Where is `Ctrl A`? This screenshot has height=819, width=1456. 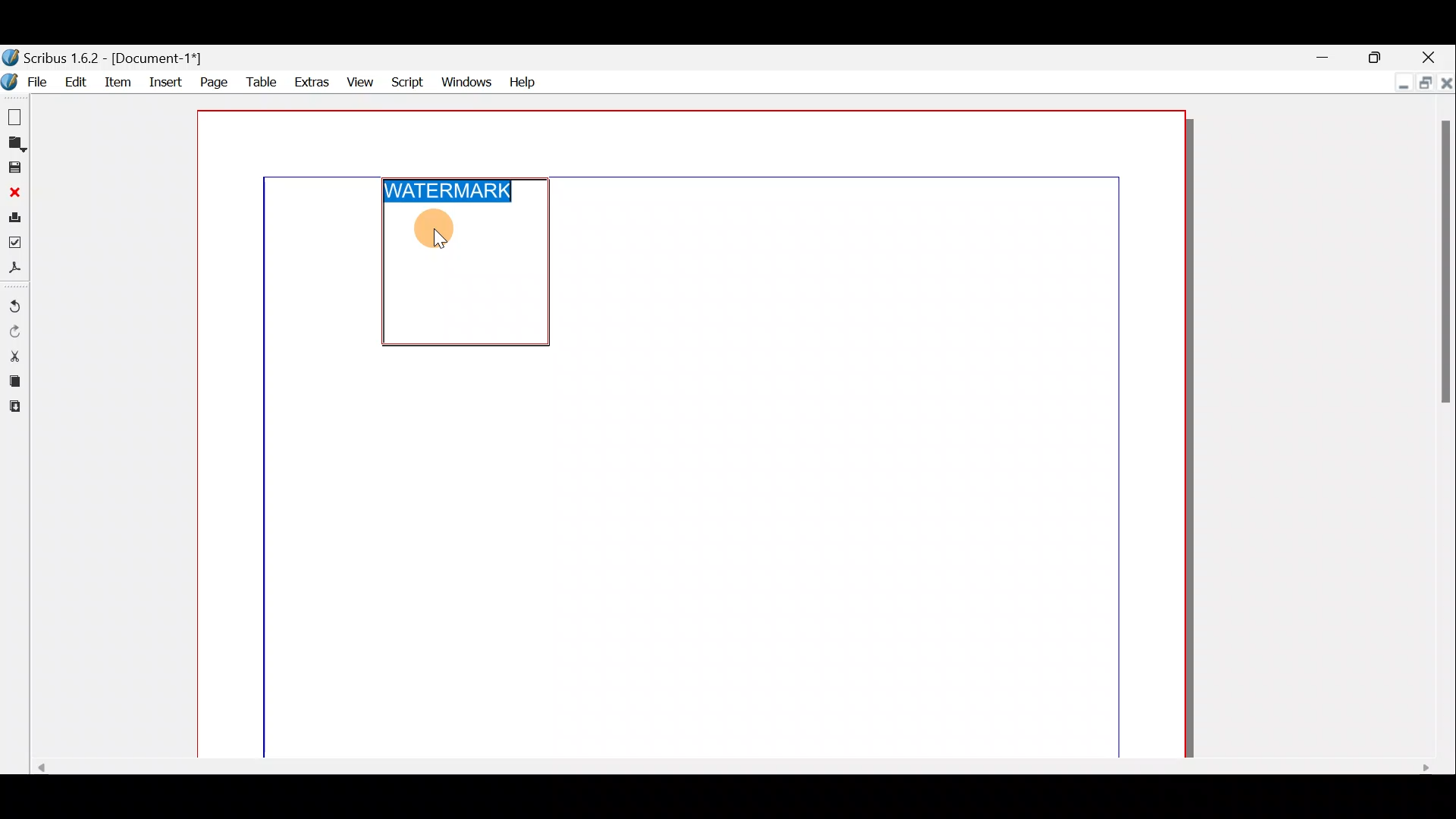
Ctrl A is located at coordinates (456, 191).